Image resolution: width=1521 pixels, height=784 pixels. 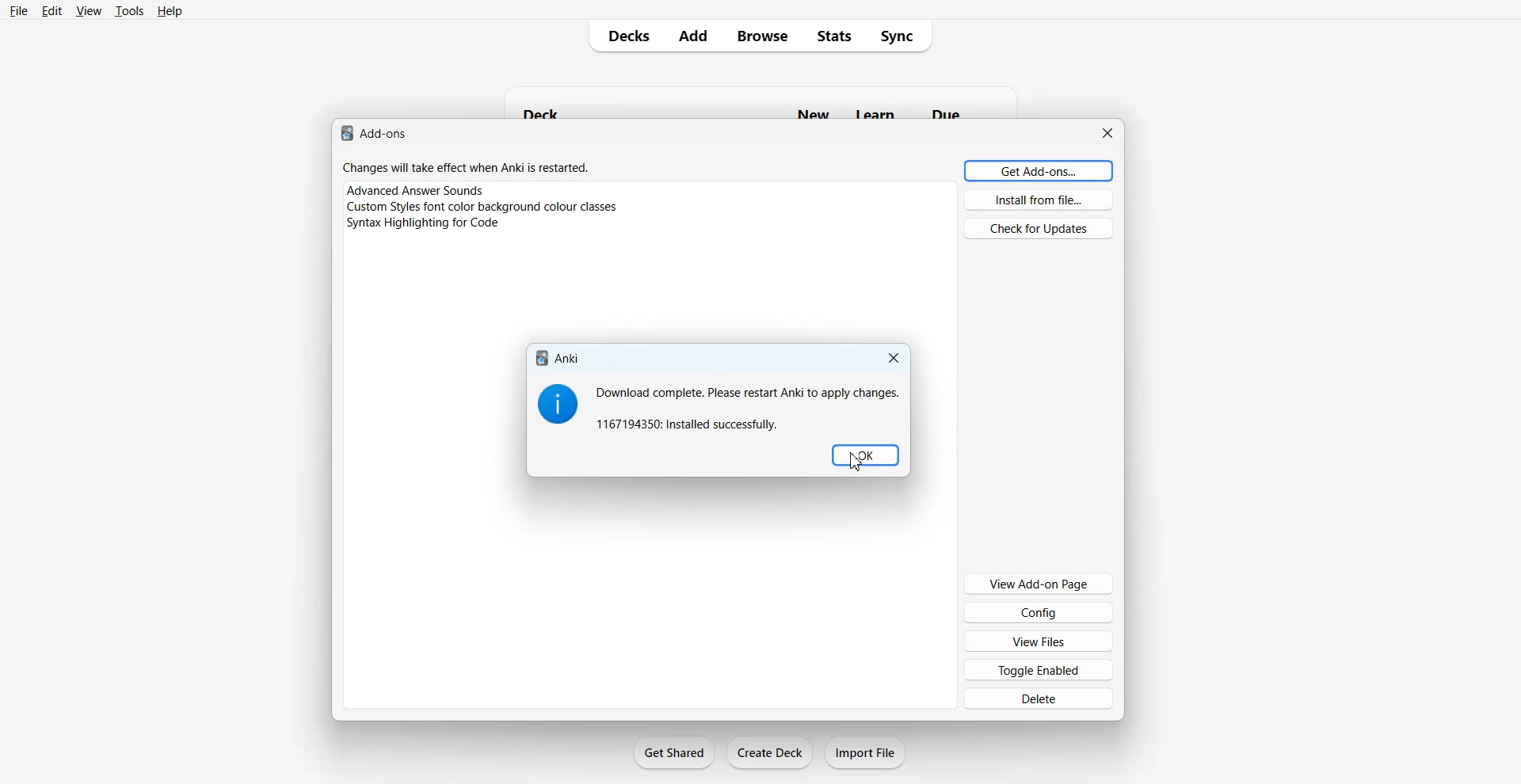 What do you see at coordinates (51, 10) in the screenshot?
I see `Edit` at bounding box center [51, 10].